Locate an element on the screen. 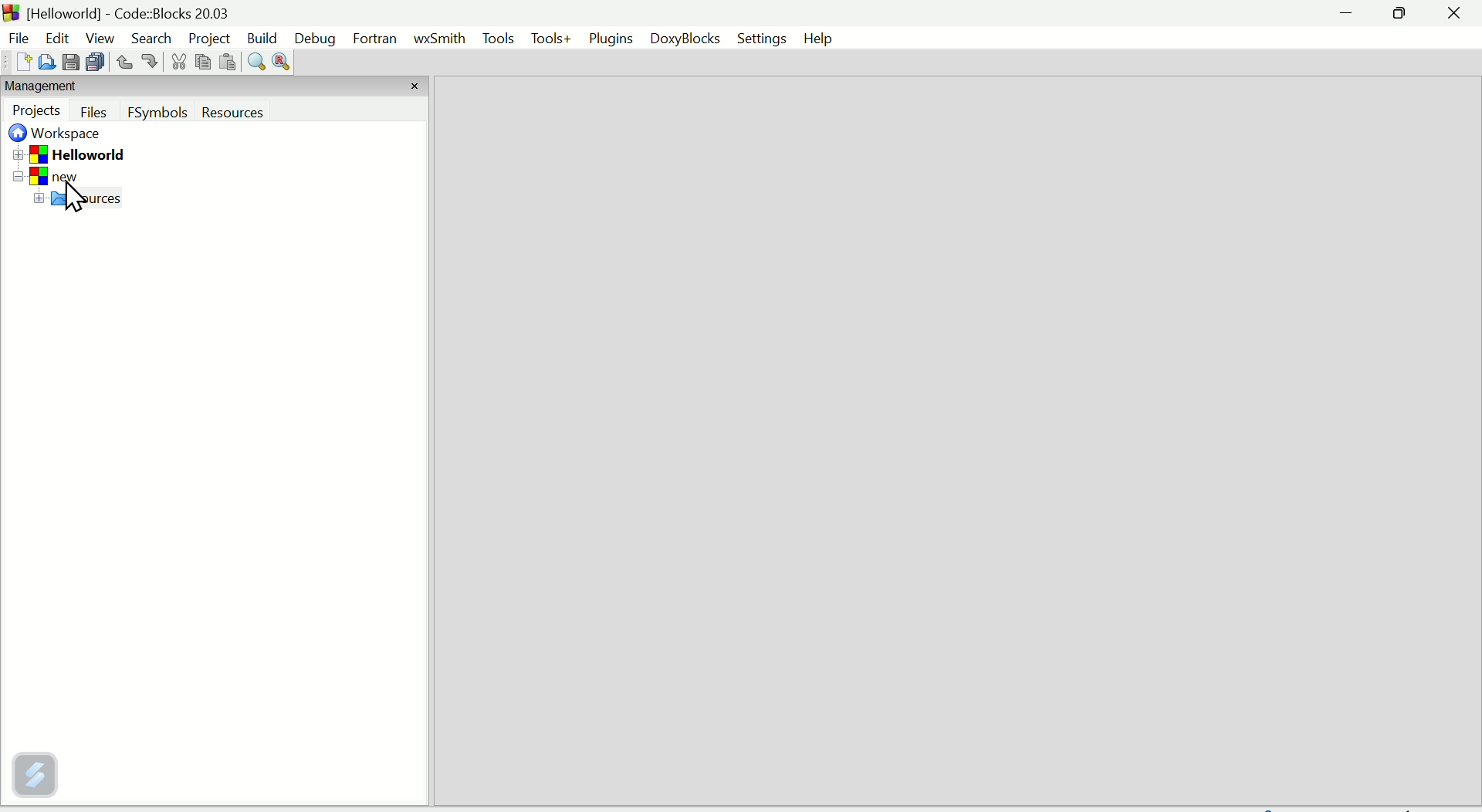   is located at coordinates (149, 61).